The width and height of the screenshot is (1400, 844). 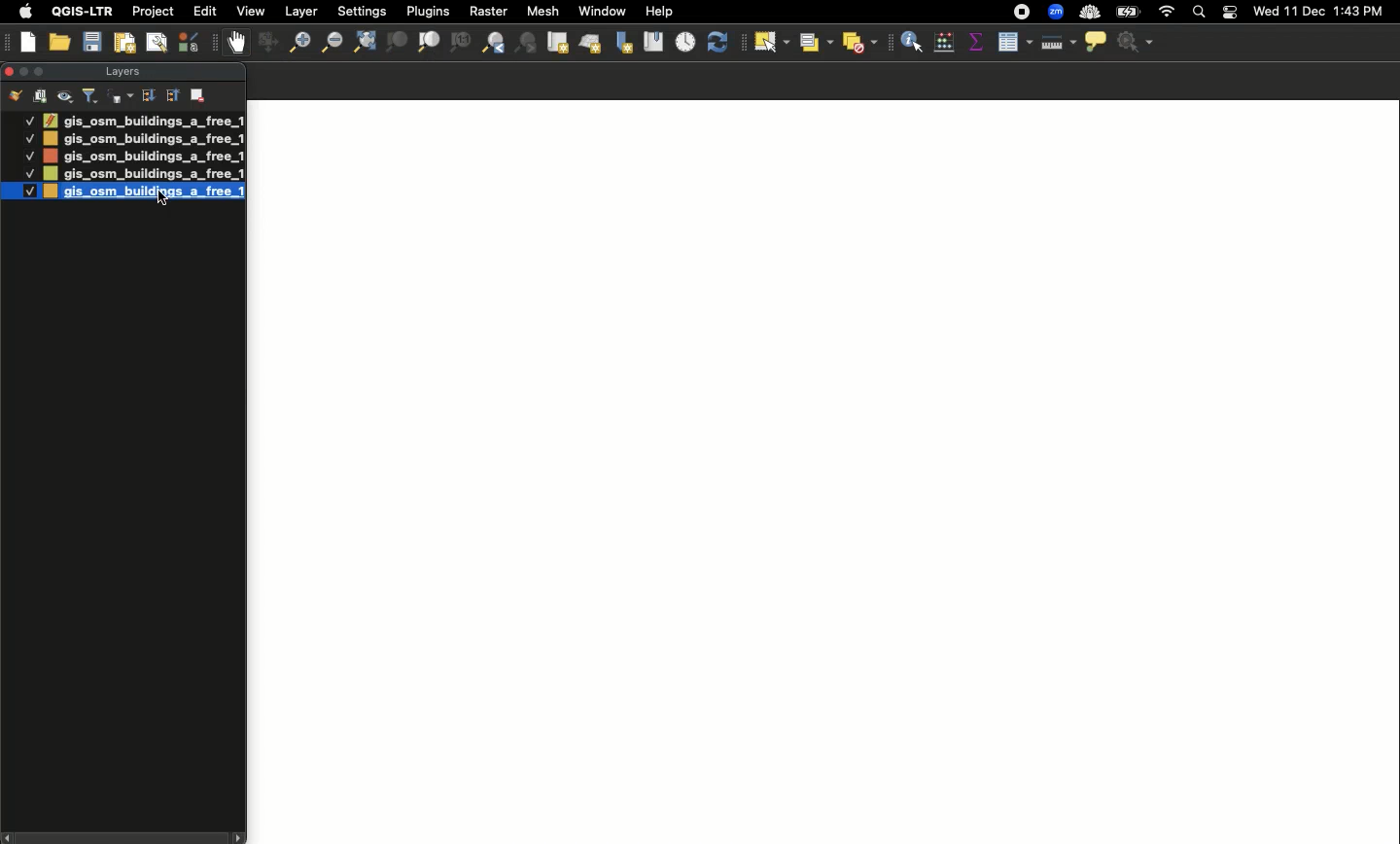 I want to click on Checked, so click(x=29, y=156).